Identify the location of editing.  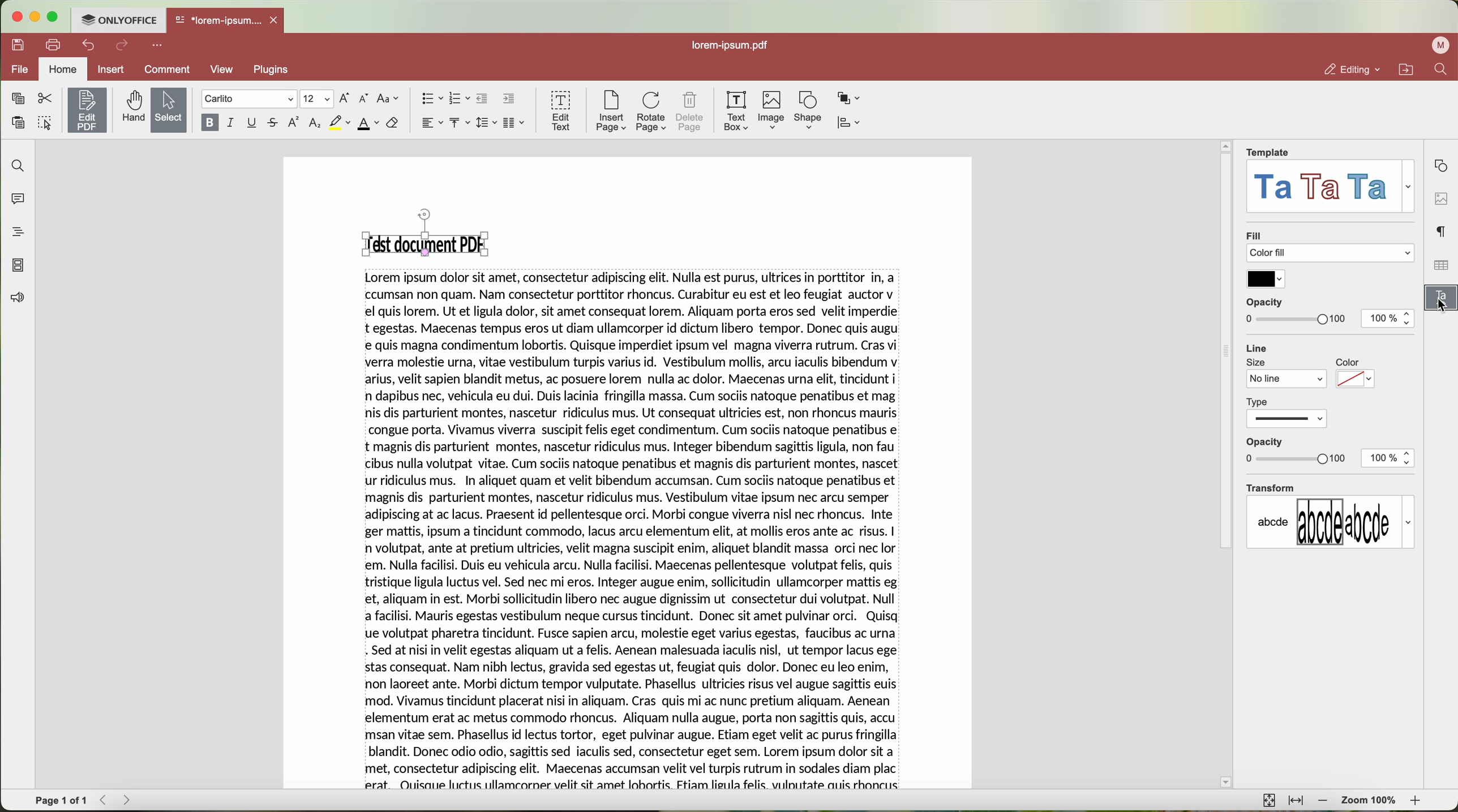
(1352, 69).